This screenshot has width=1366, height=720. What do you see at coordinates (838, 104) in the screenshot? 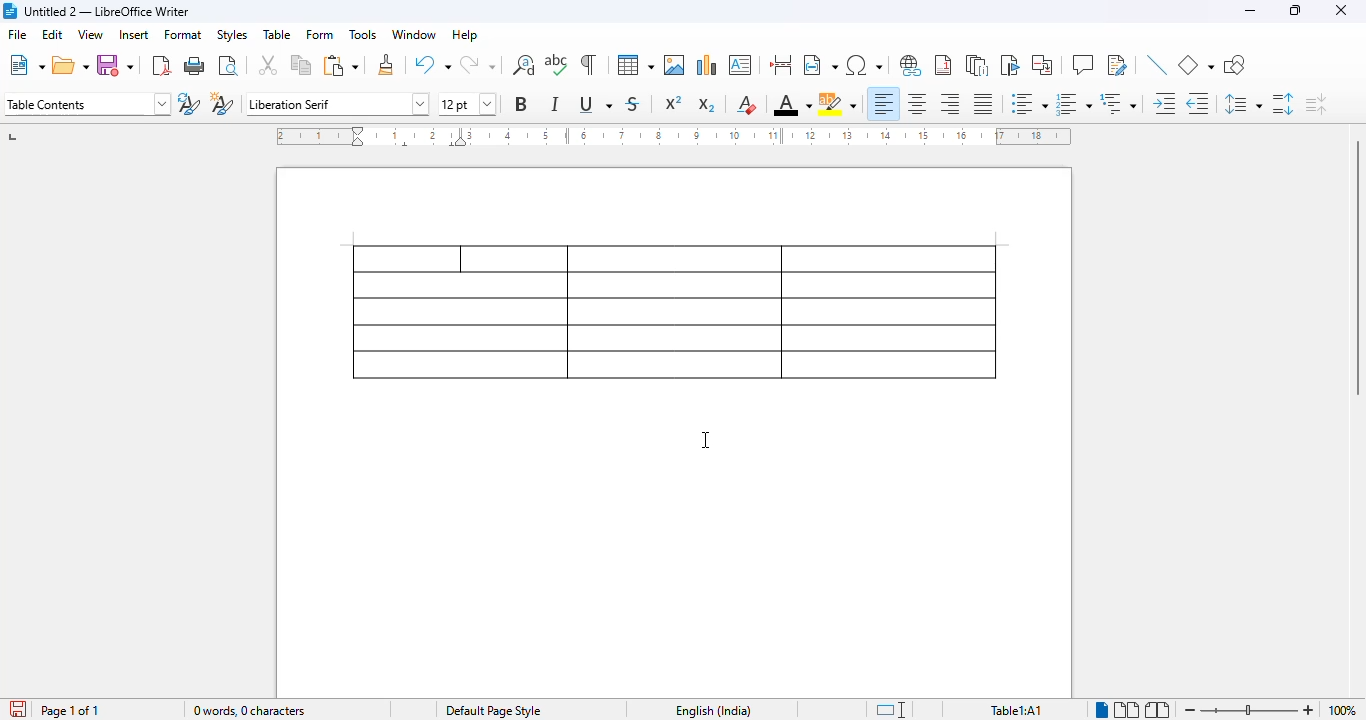
I see `character highlighting color` at bounding box center [838, 104].